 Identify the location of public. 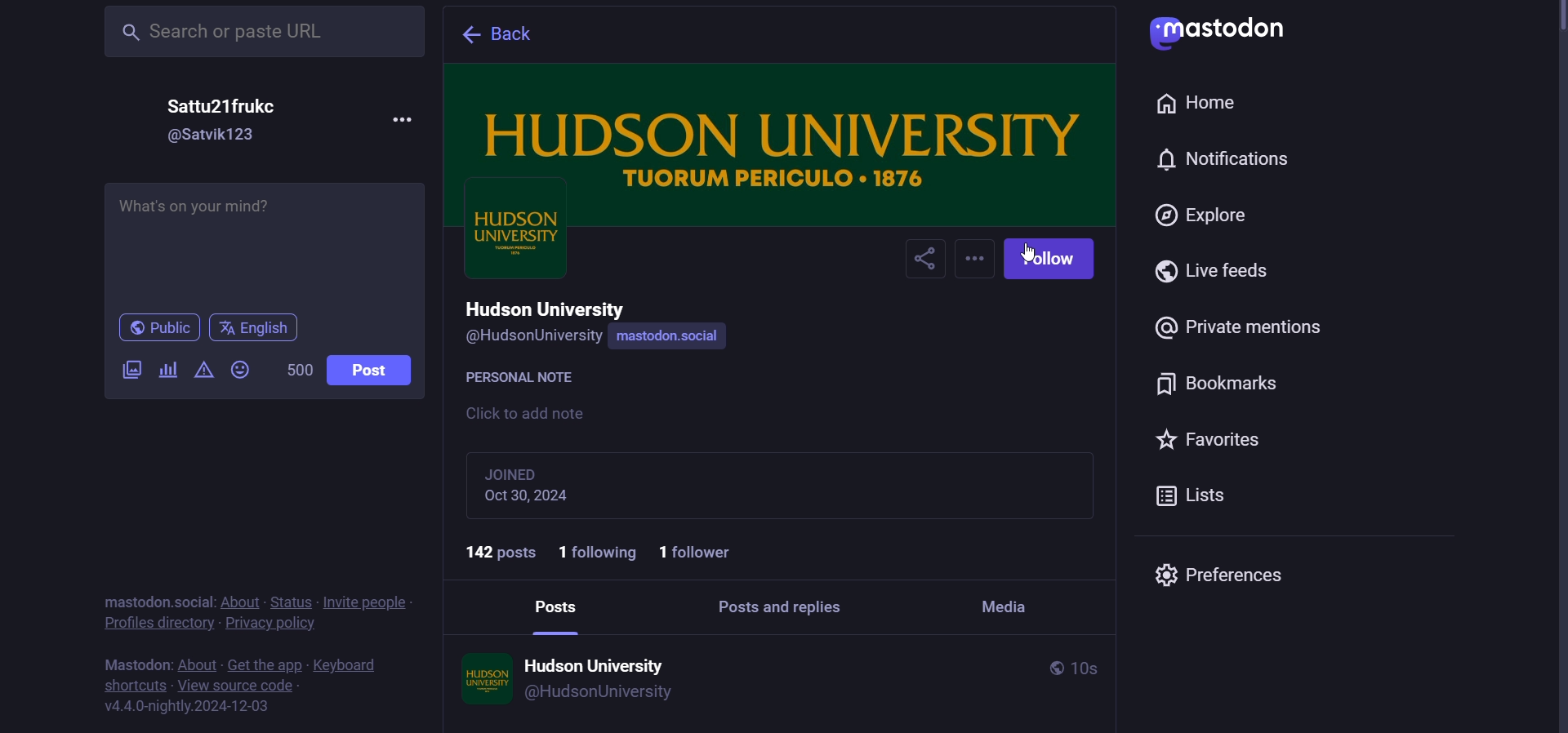
(156, 328).